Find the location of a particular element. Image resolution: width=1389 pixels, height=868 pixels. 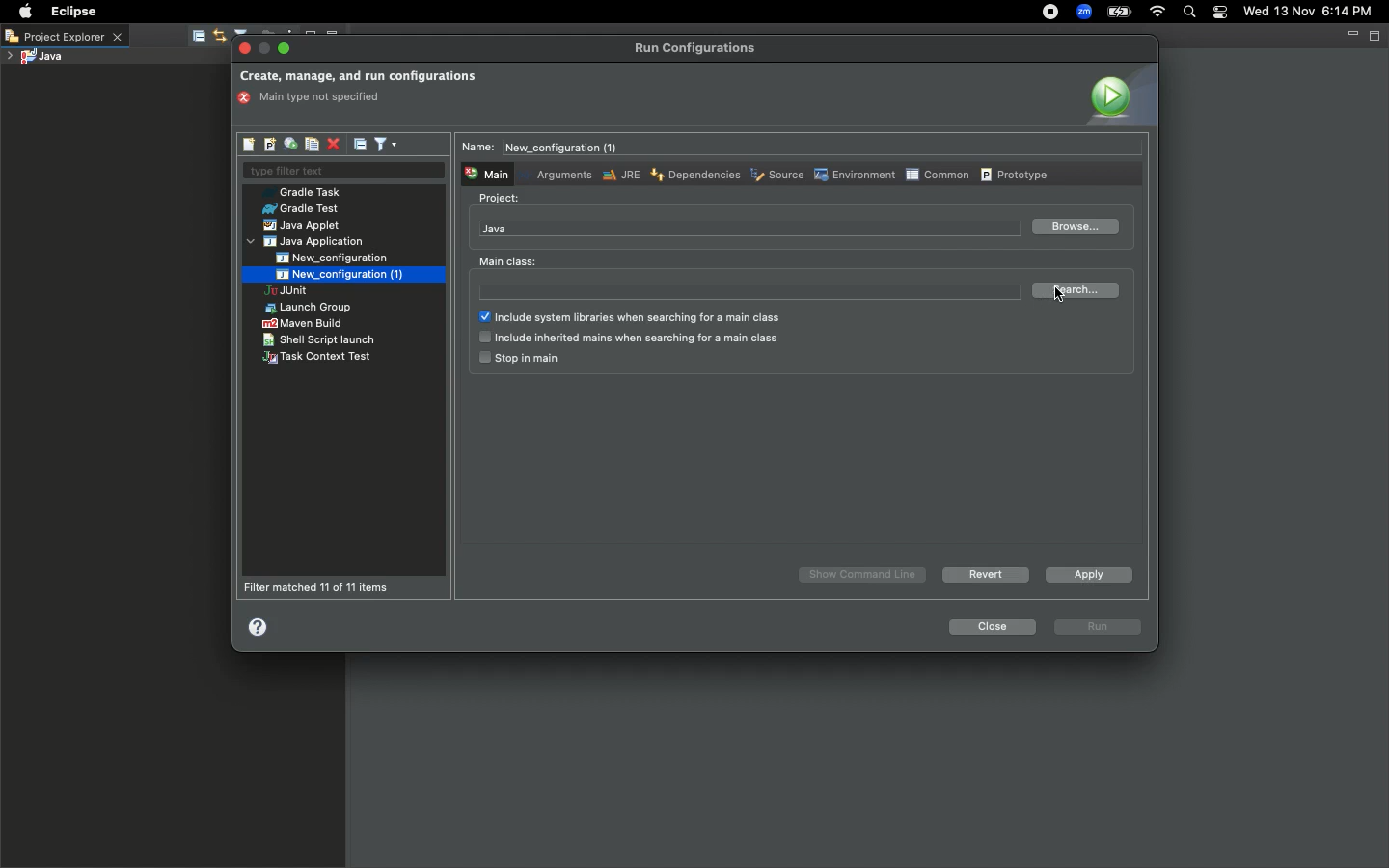

Filter matched 11 of 11 items is located at coordinates (322, 587).